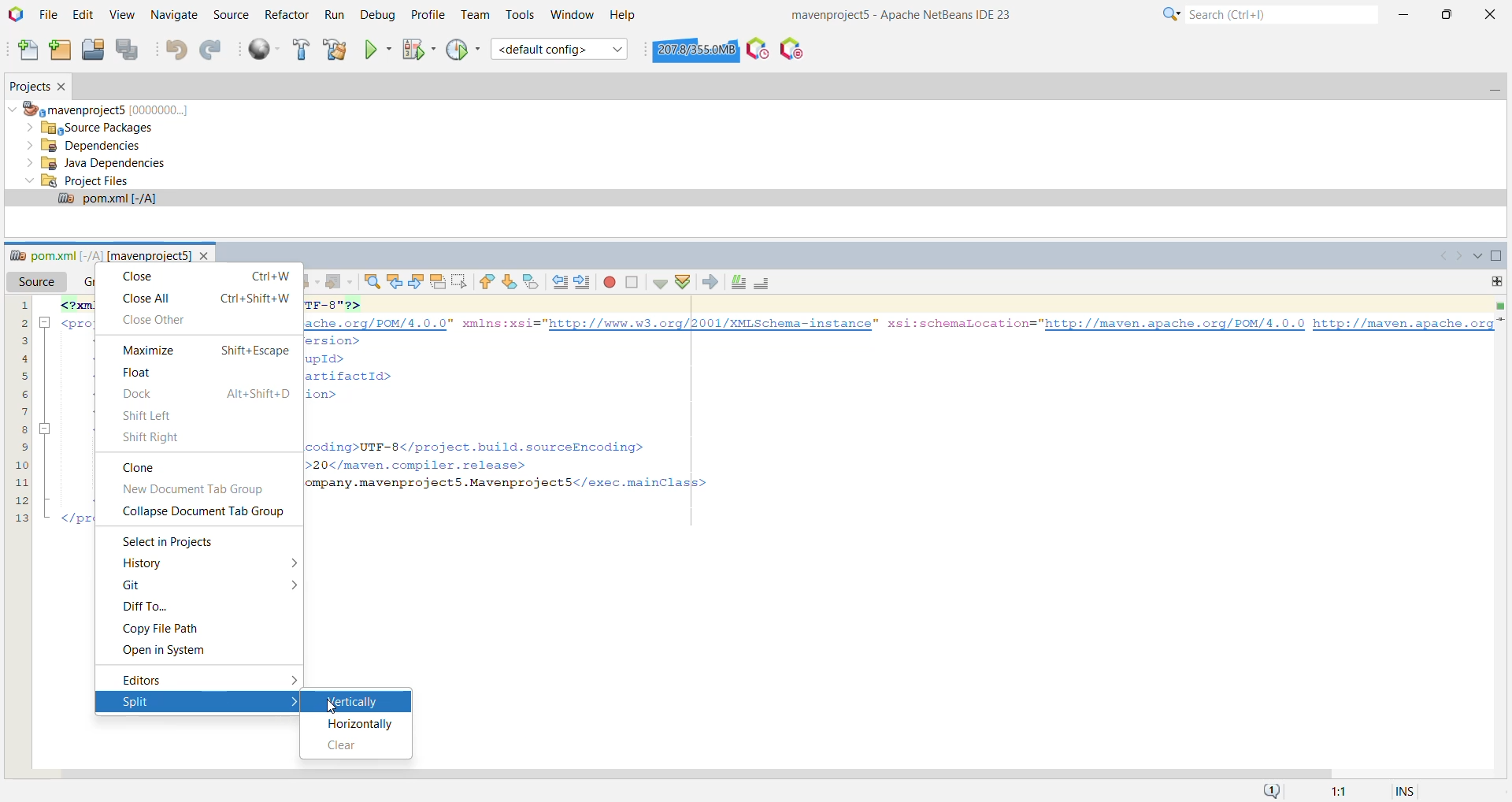  I want to click on Debug, so click(376, 16).